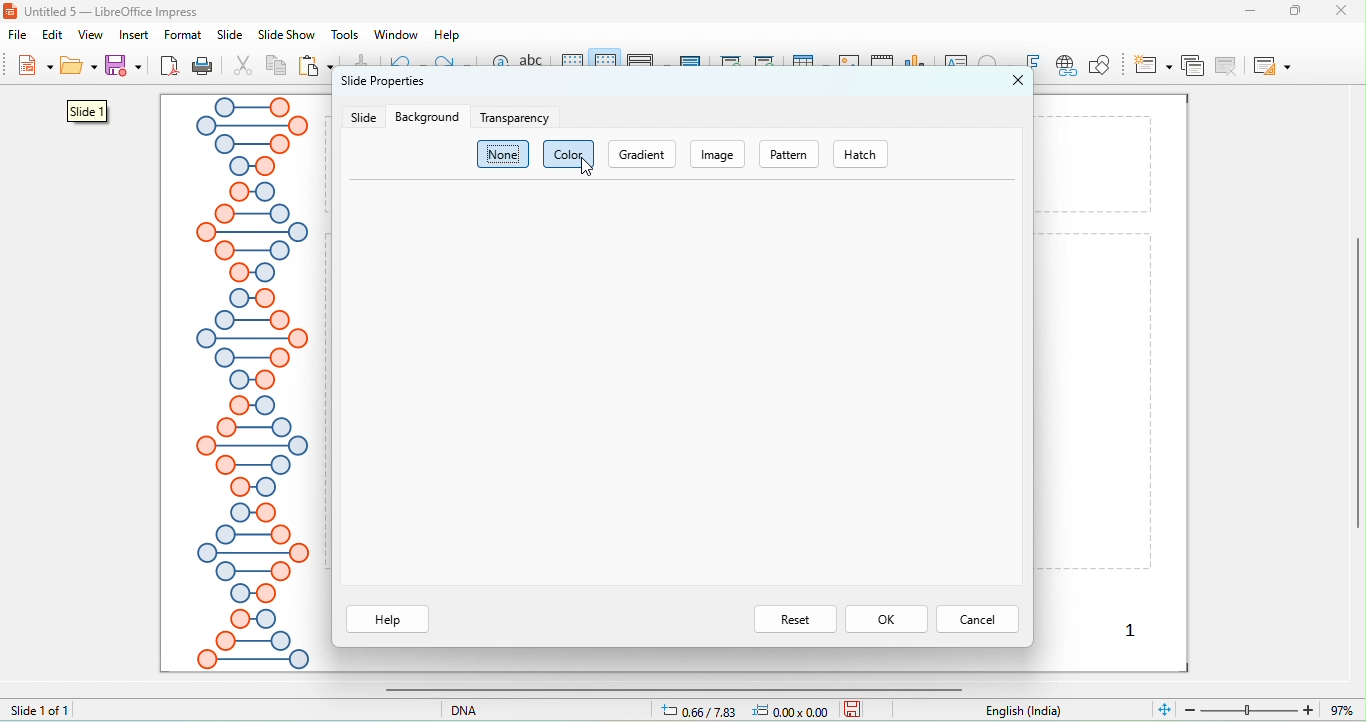  I want to click on chart, so click(850, 66).